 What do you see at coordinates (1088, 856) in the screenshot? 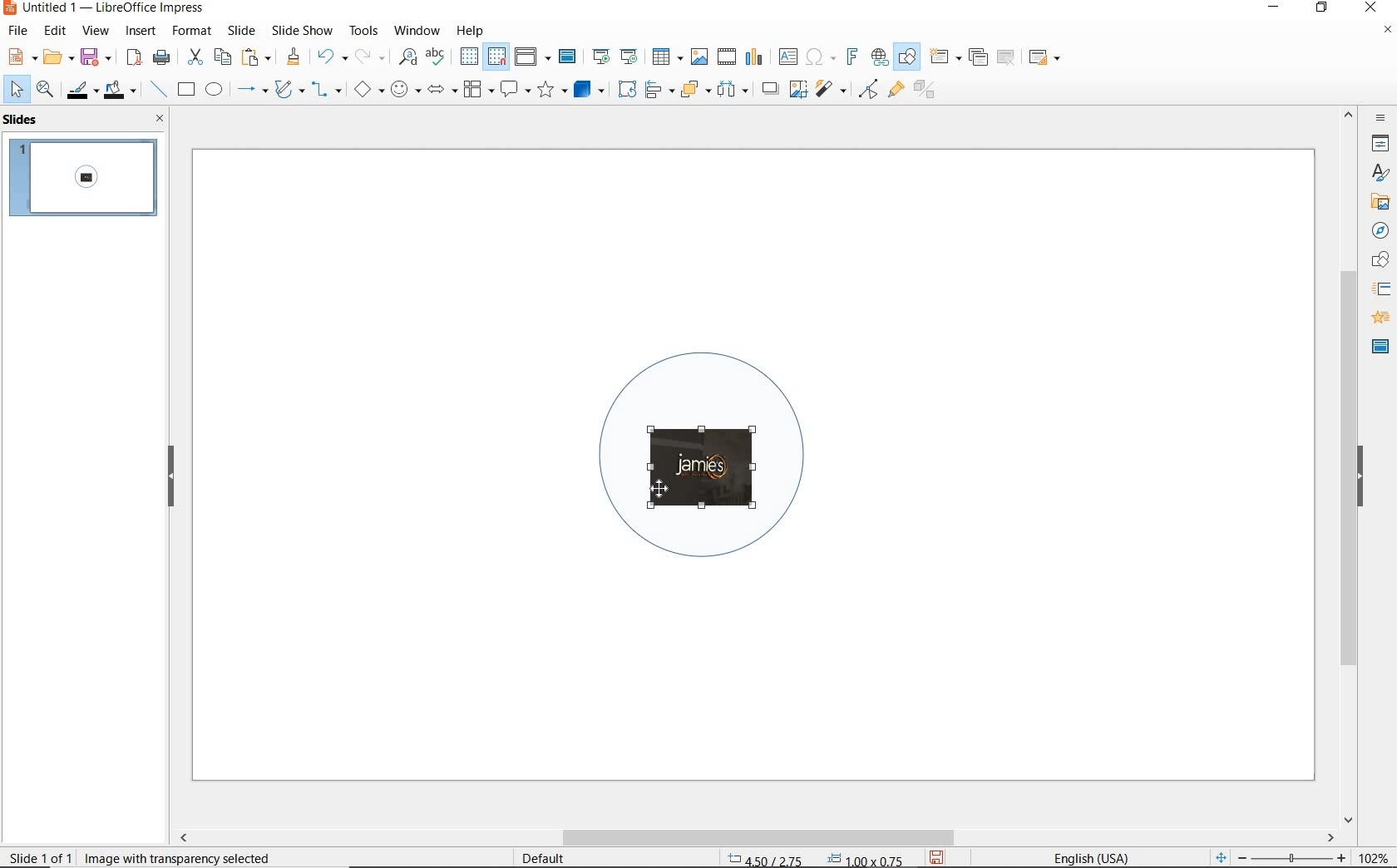
I see `Text language` at bounding box center [1088, 856].